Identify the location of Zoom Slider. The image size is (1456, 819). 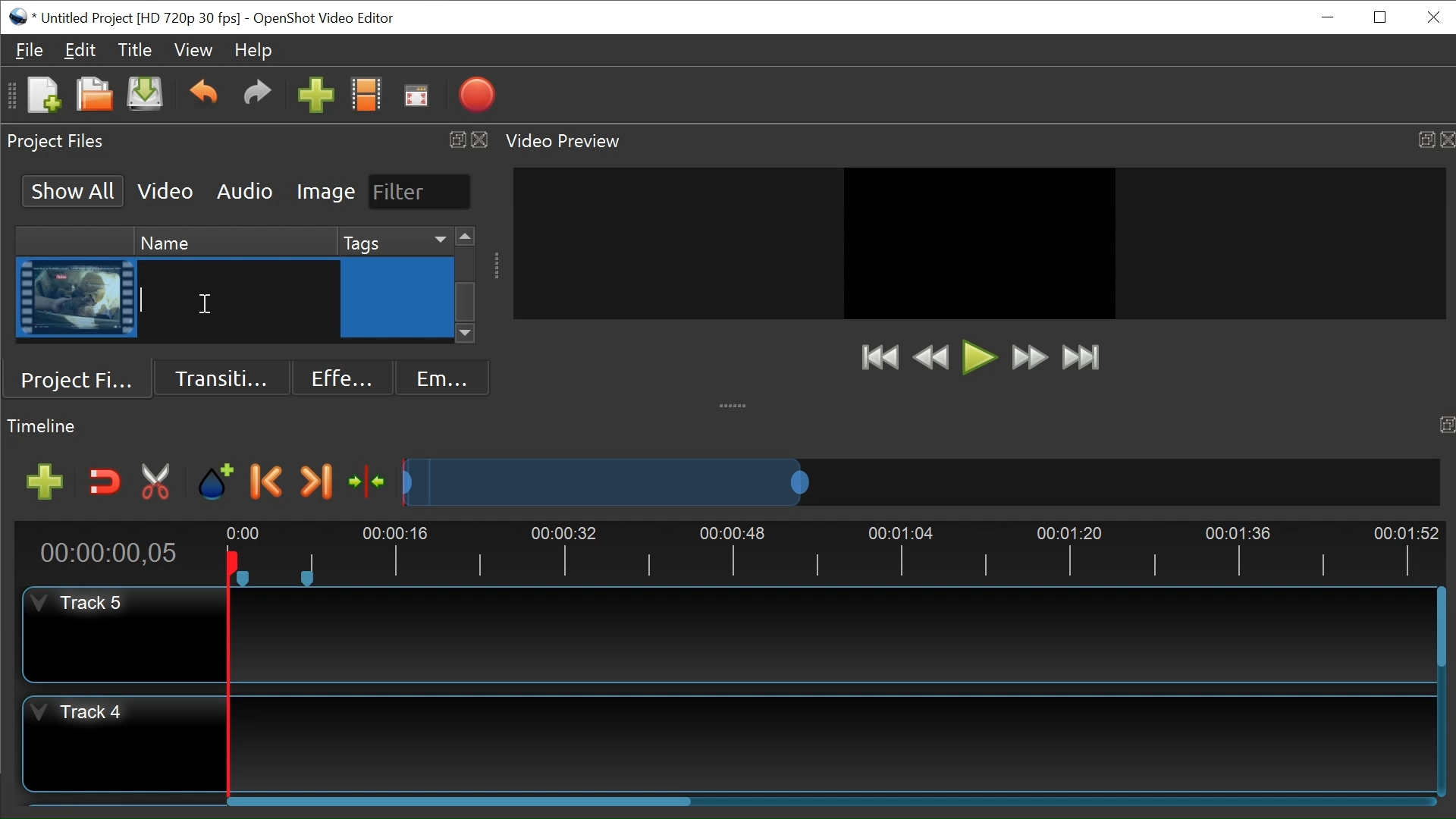
(915, 480).